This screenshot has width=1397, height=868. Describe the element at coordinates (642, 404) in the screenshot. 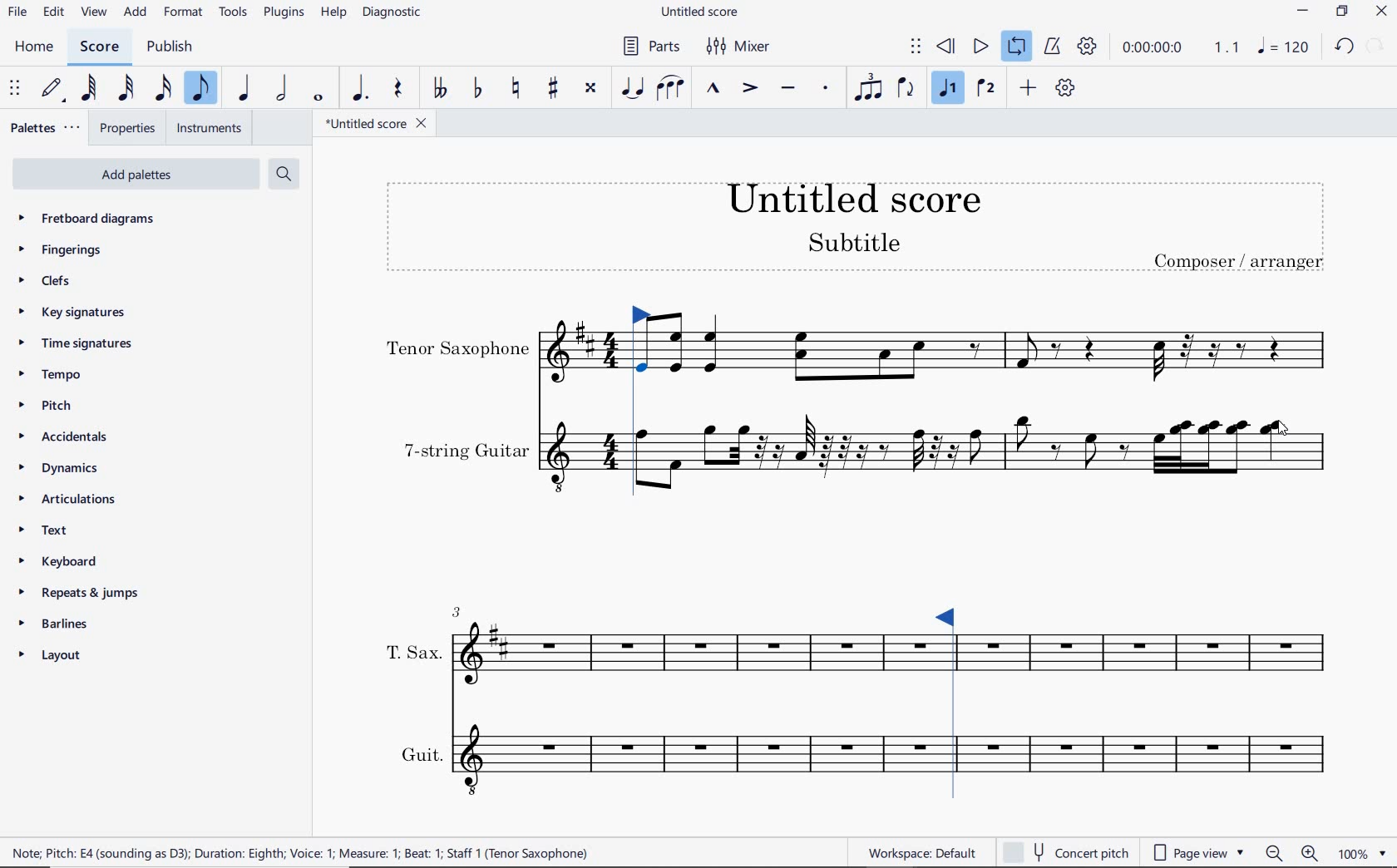

I see `Loop Market set left` at that location.